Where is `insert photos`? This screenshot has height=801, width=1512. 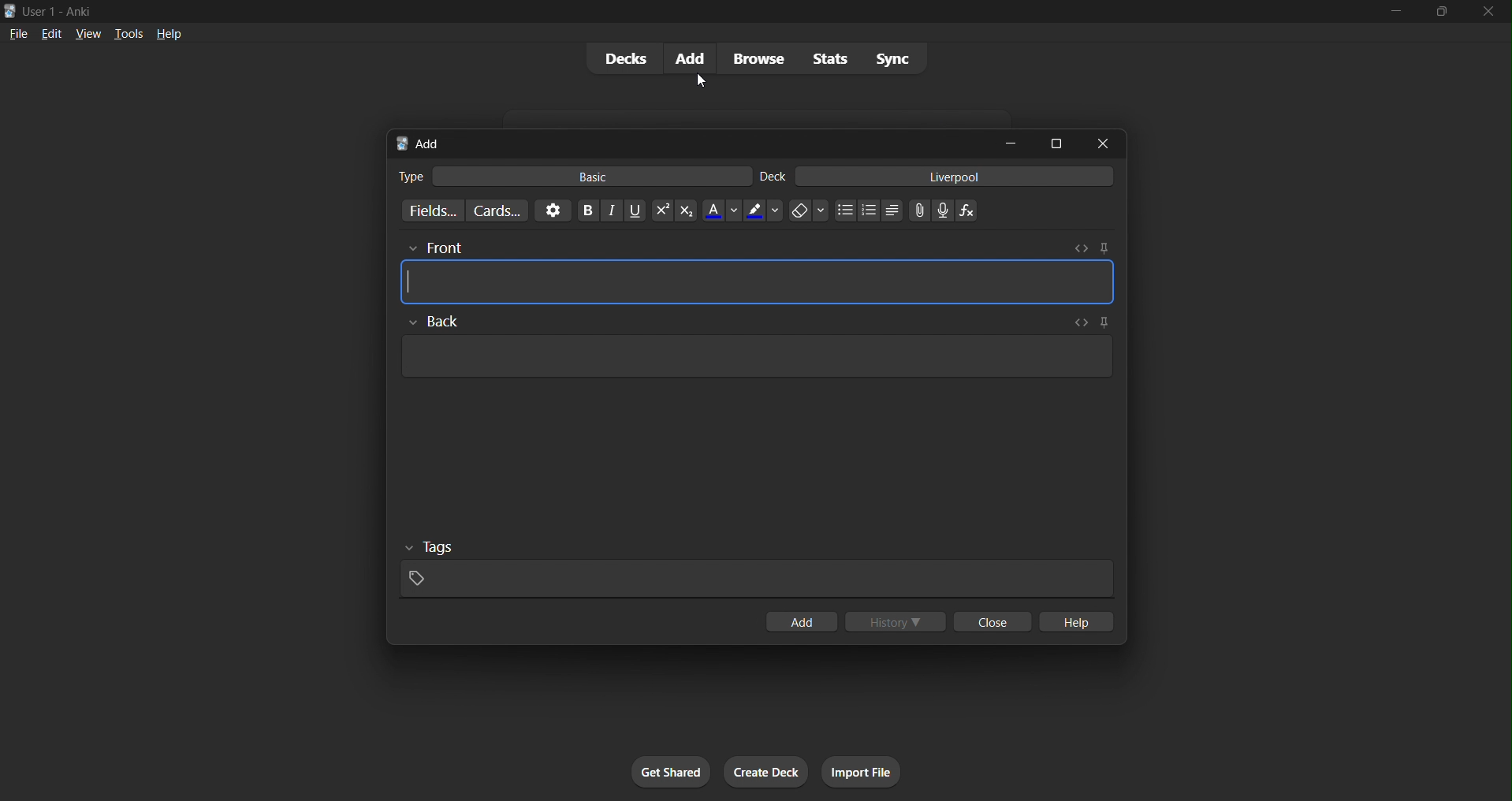 insert photos is located at coordinates (916, 210).